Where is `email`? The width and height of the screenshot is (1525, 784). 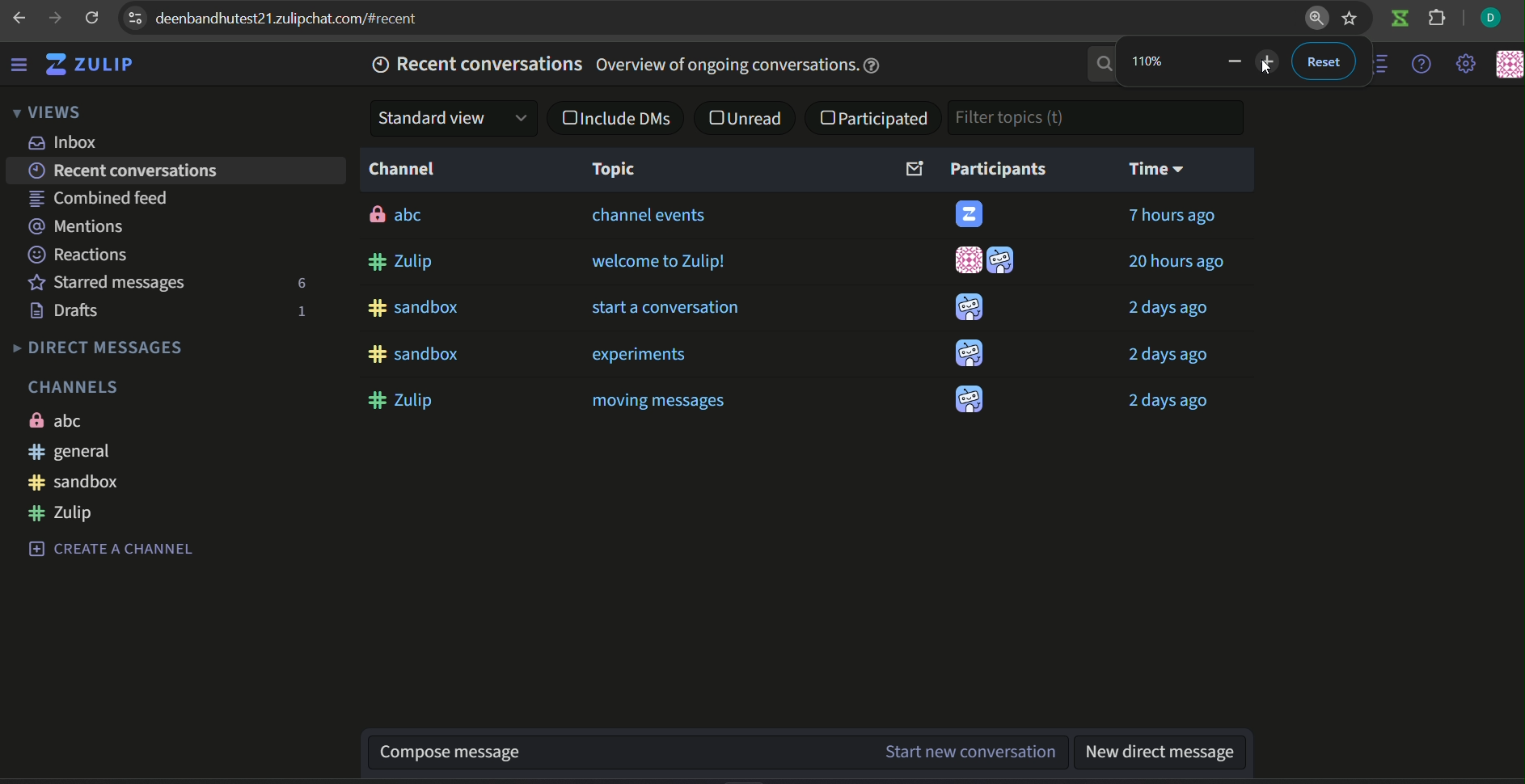
email is located at coordinates (912, 170).